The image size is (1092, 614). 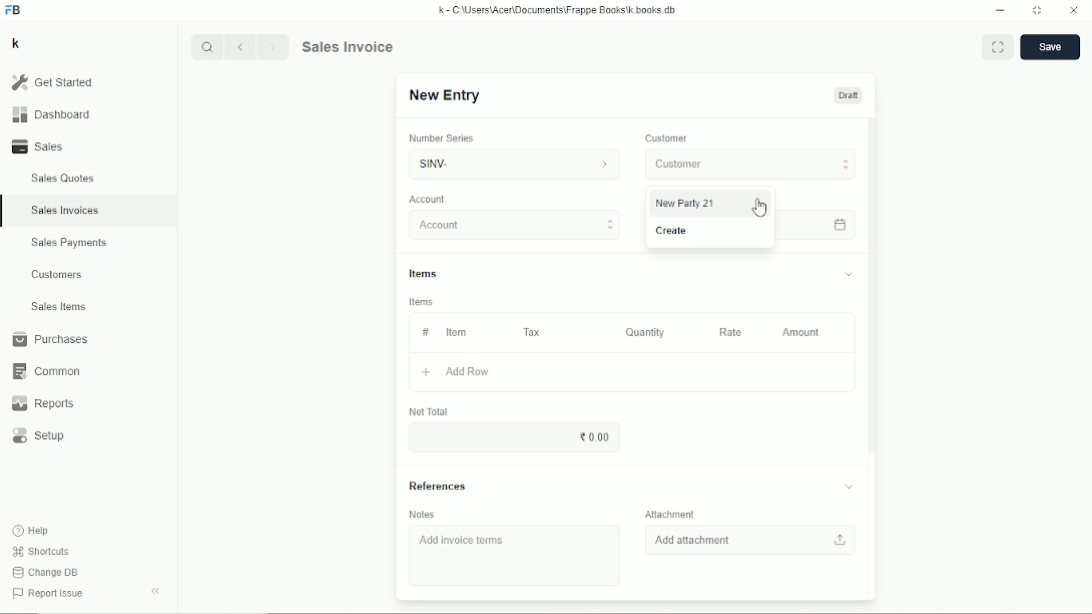 I want to click on Get started, so click(x=51, y=82).